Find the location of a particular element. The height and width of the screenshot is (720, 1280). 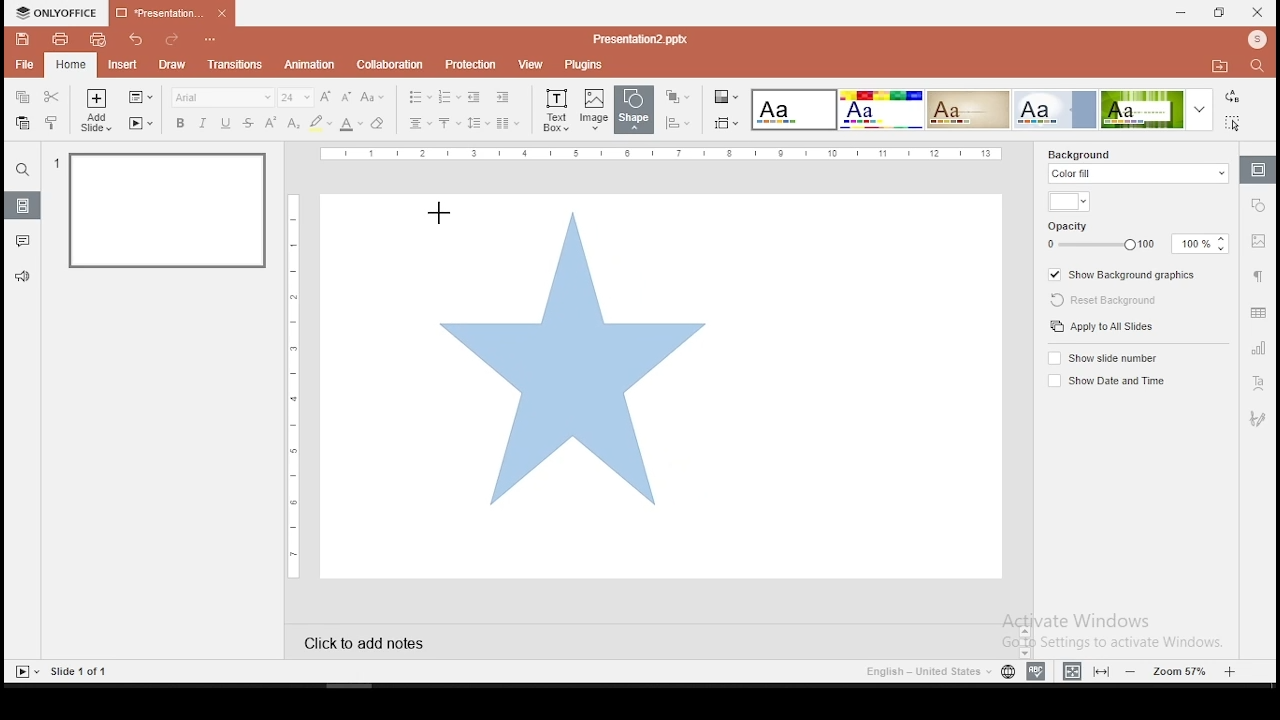

decrease indent is located at coordinates (476, 96).